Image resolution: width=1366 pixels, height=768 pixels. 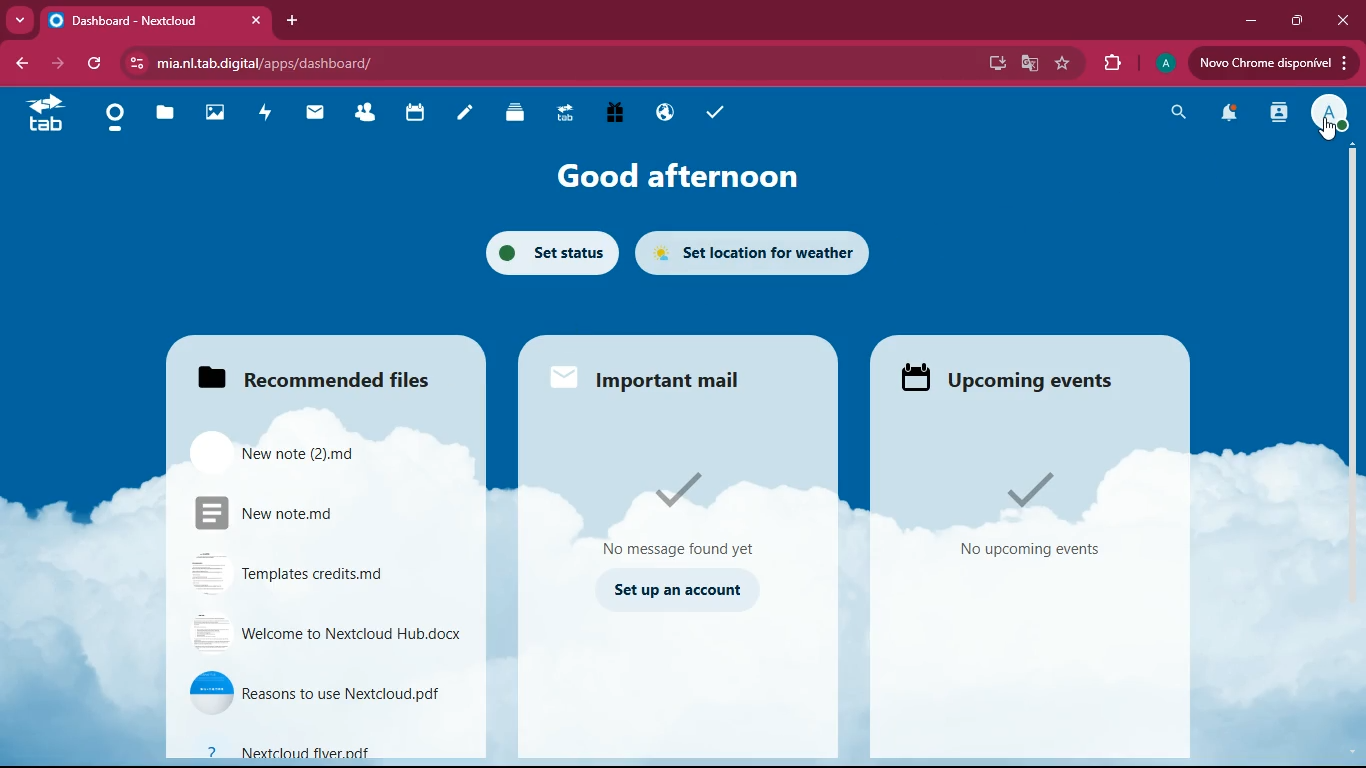 I want to click on tab, so click(x=156, y=22).